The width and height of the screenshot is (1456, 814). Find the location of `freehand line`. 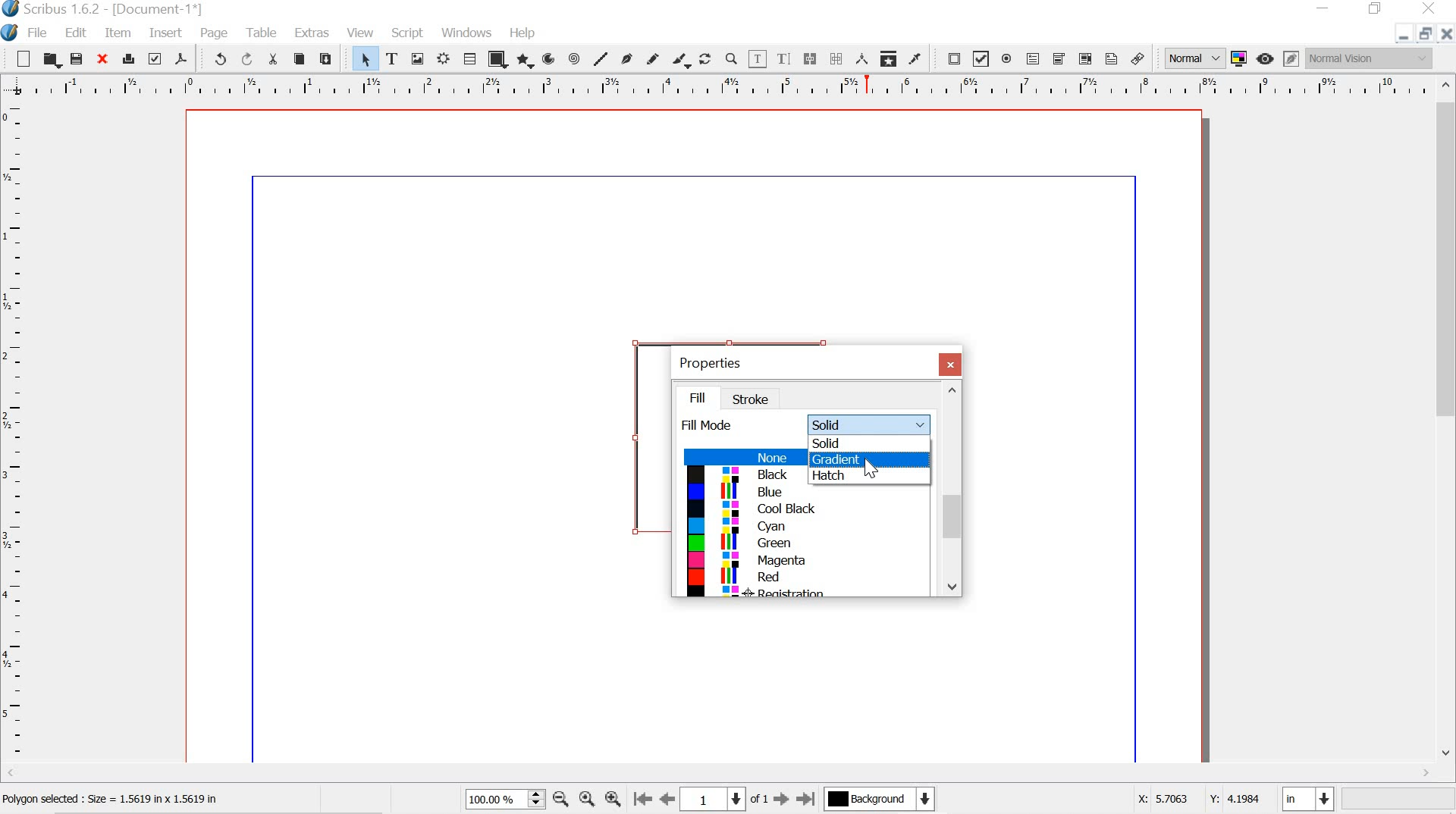

freehand line is located at coordinates (652, 58).